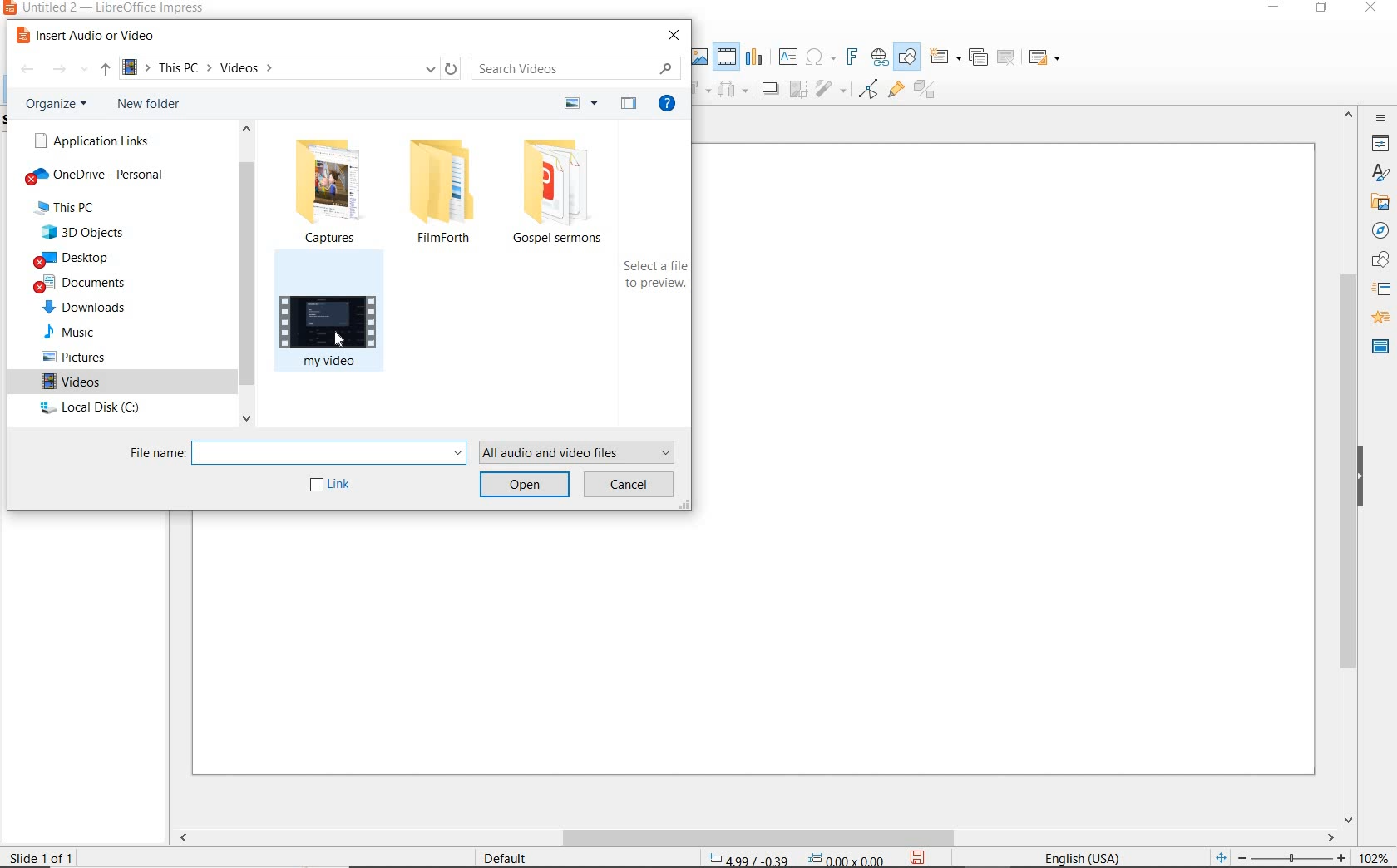  Describe the element at coordinates (45, 856) in the screenshot. I see `SLIDE 1 OF 1` at that location.